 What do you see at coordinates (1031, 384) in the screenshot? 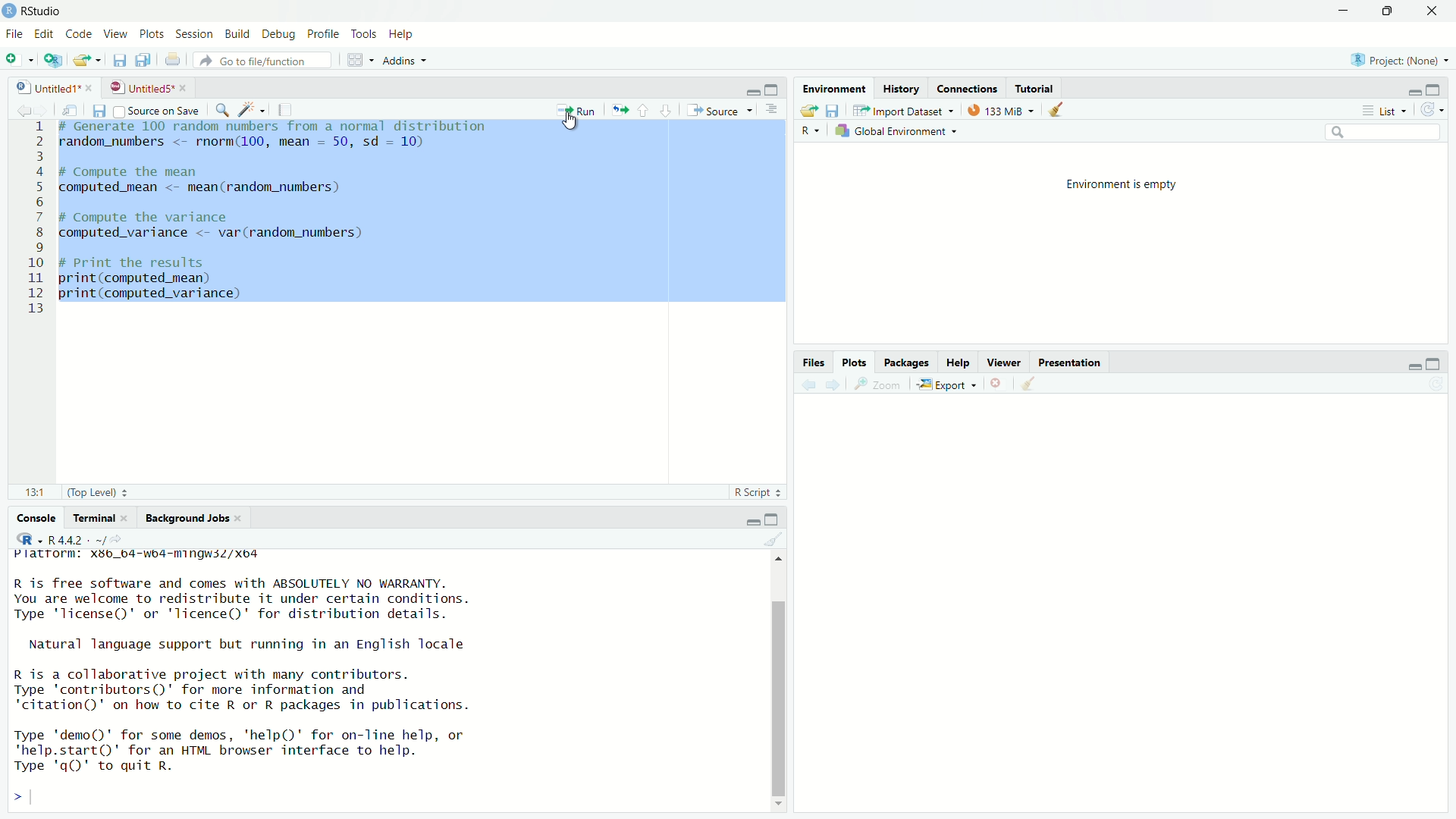
I see `clear all plots` at bounding box center [1031, 384].